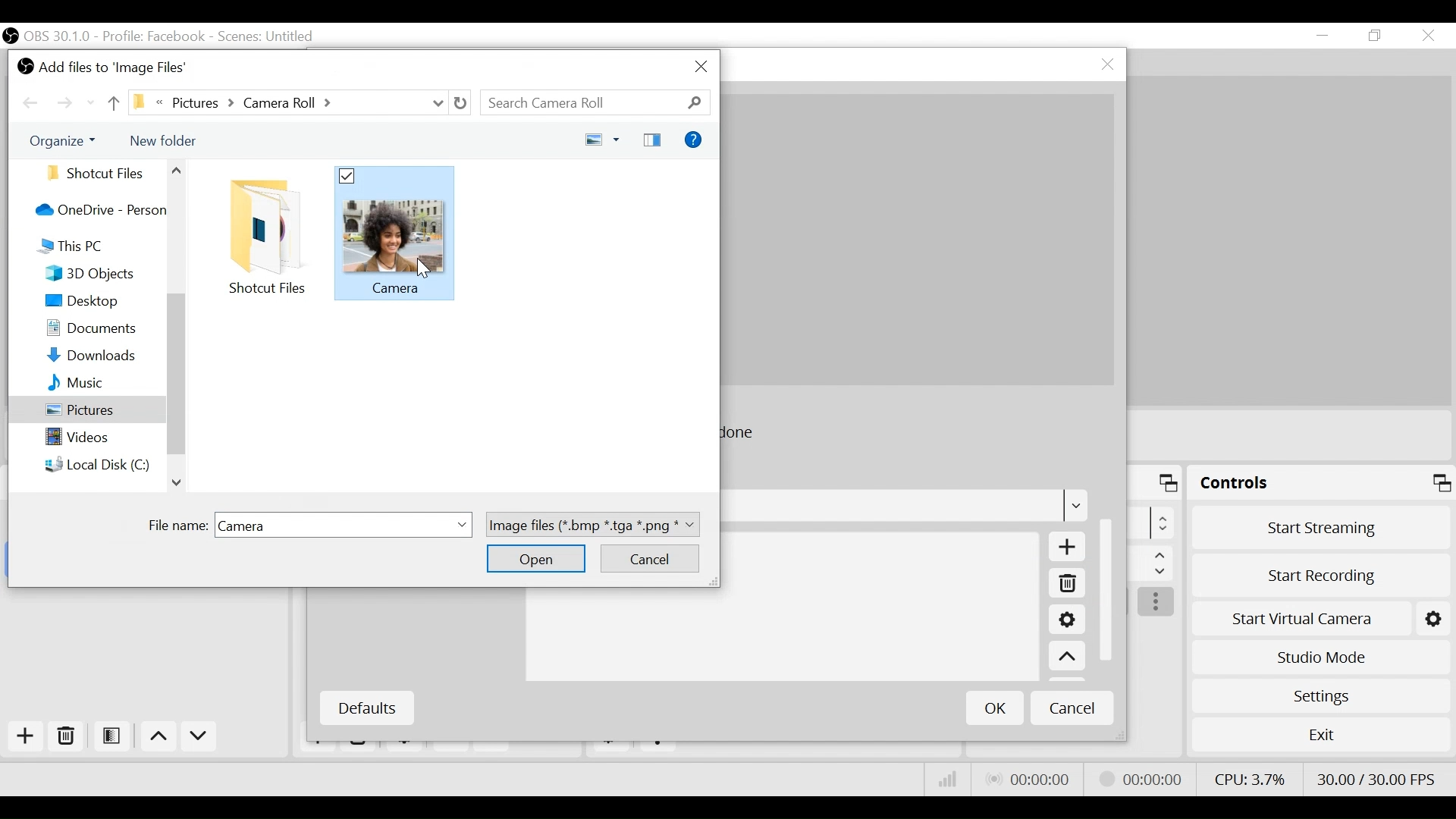 The height and width of the screenshot is (819, 1456). Describe the element at coordinates (461, 104) in the screenshot. I see `Refresh` at that location.